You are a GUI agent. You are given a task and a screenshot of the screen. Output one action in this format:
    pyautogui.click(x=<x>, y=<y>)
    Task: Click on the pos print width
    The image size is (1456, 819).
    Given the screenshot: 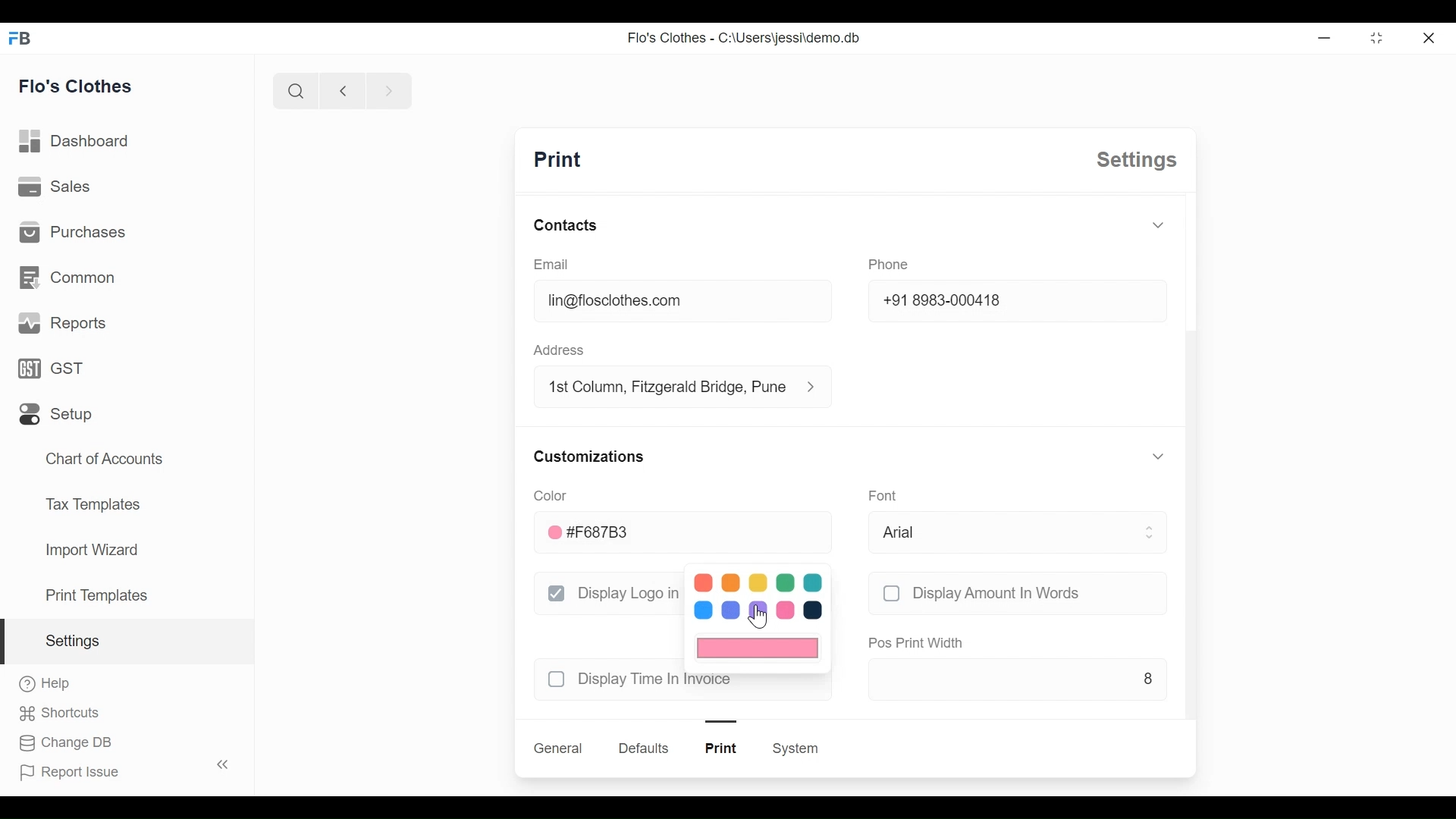 What is the action you would take?
    pyautogui.click(x=916, y=644)
    